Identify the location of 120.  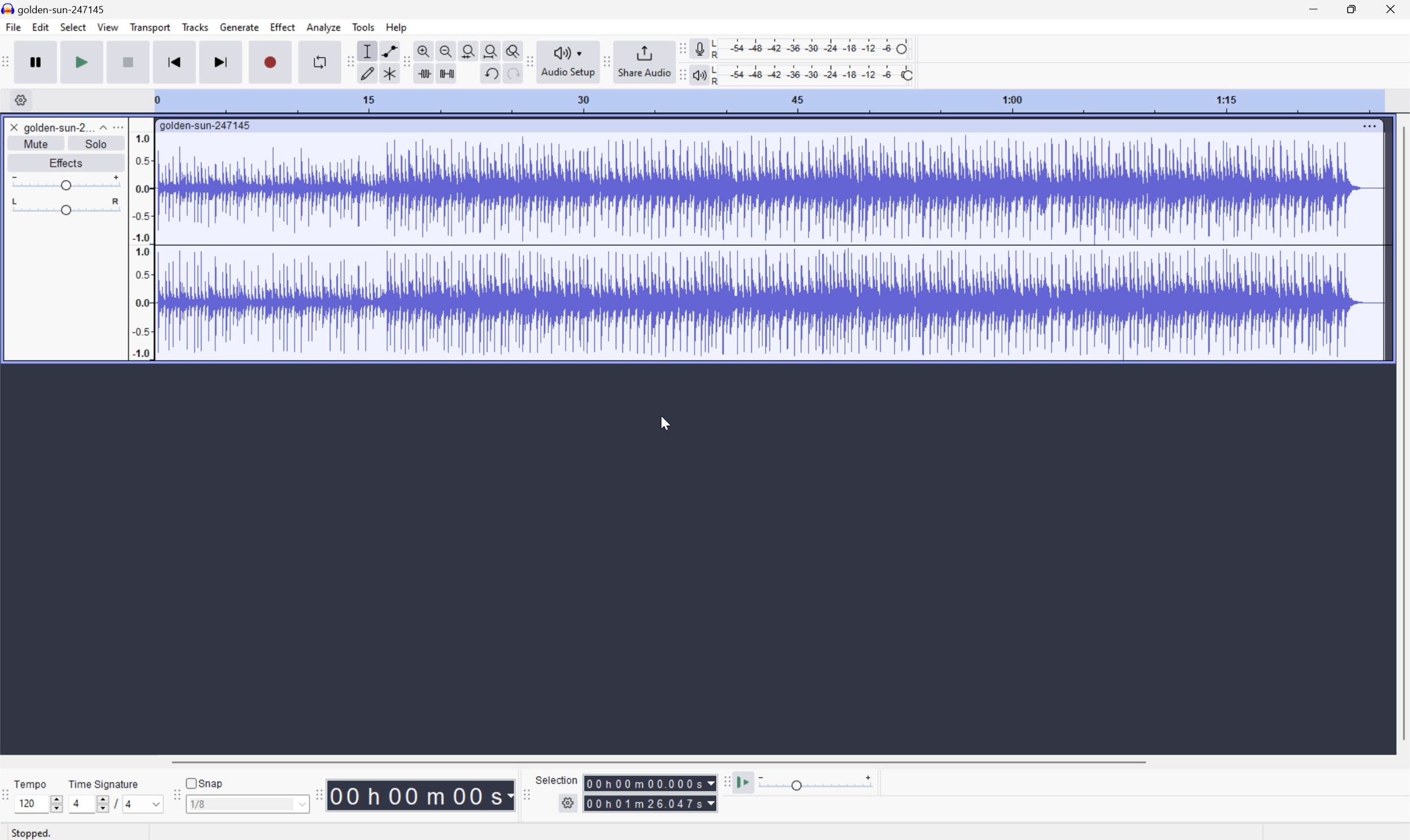
(33, 804).